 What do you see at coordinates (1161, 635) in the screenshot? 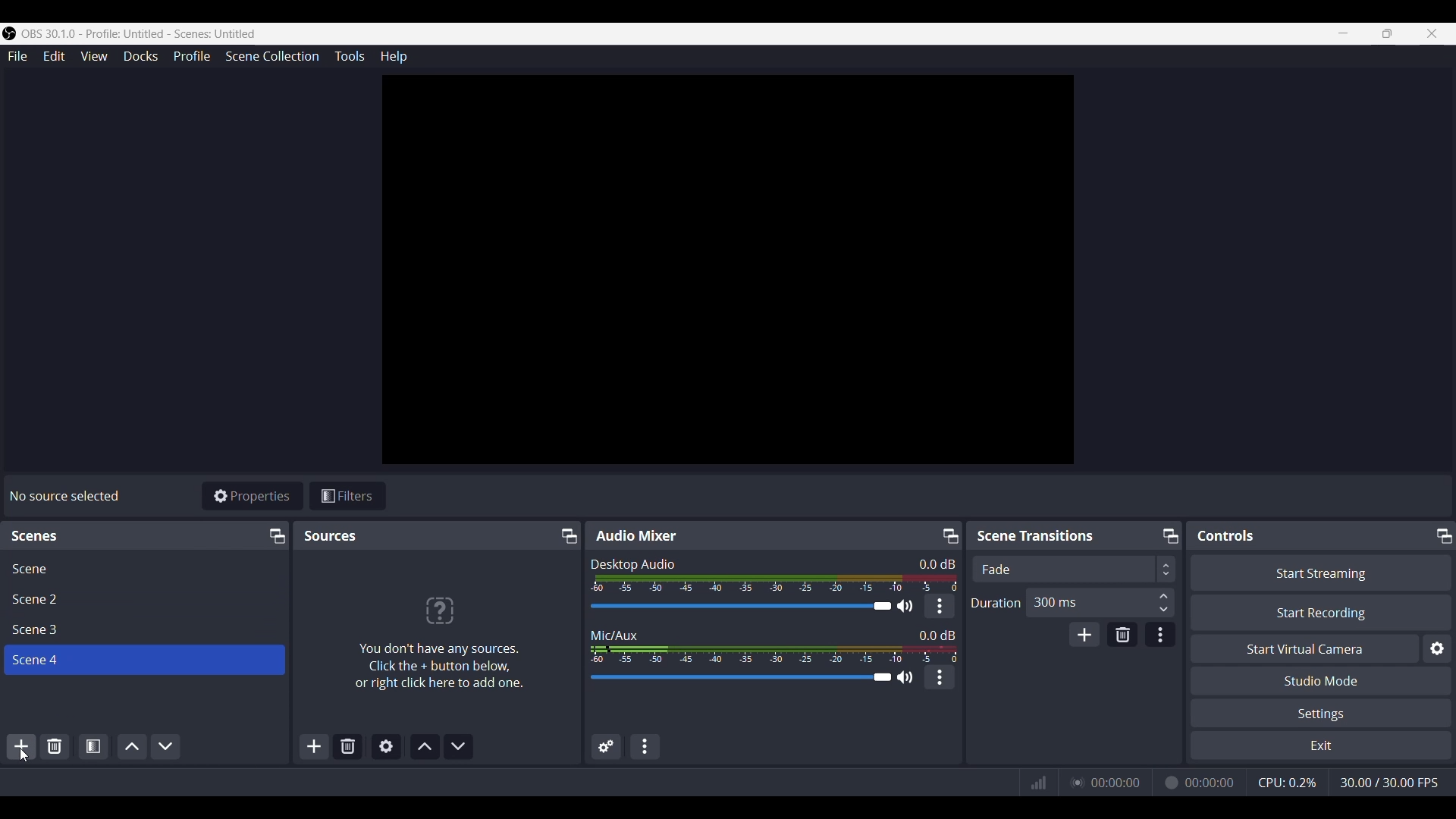
I see `Transition Properties ` at bounding box center [1161, 635].